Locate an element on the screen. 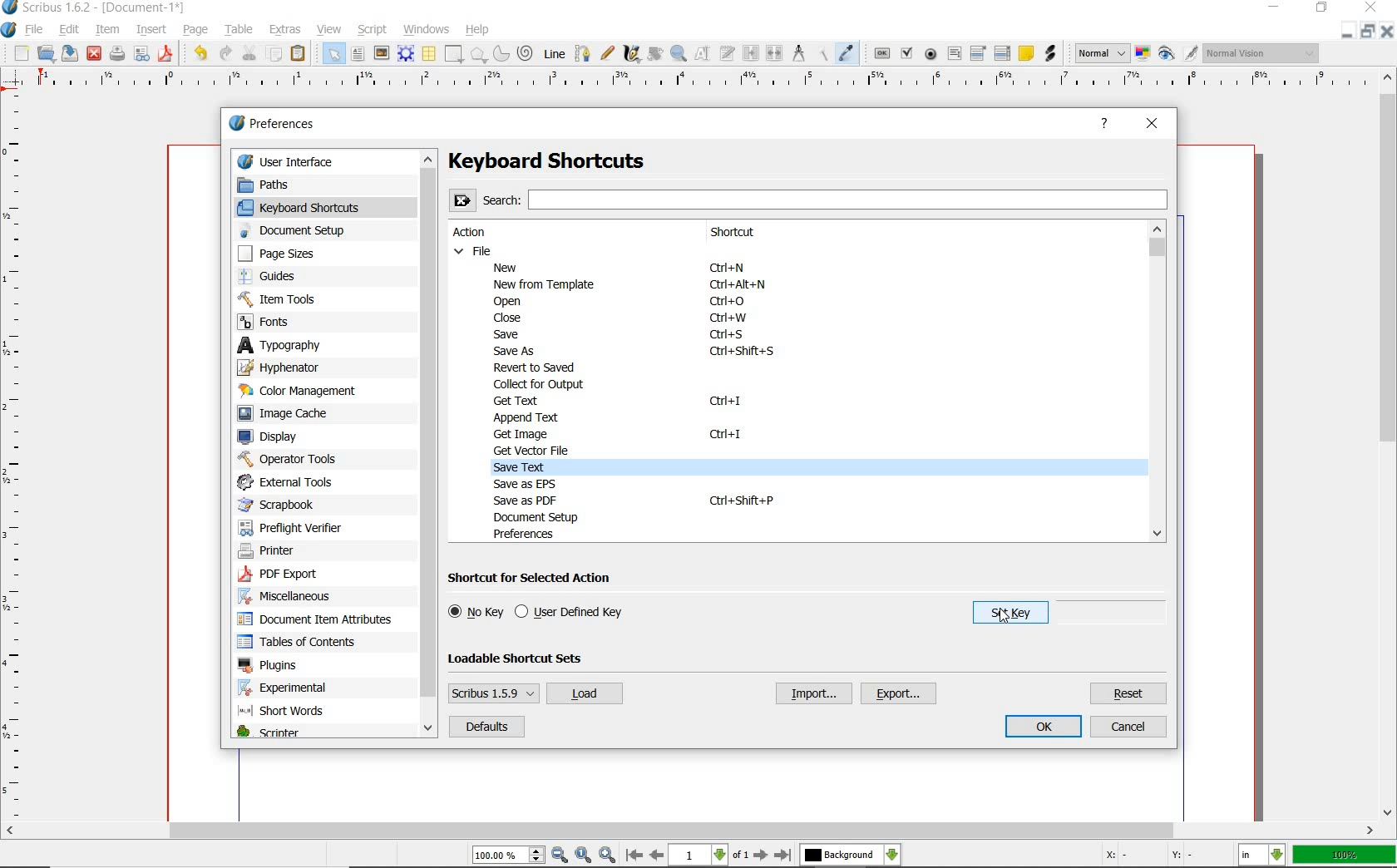 The image size is (1397, 868). zoom in or zoom out is located at coordinates (679, 55).